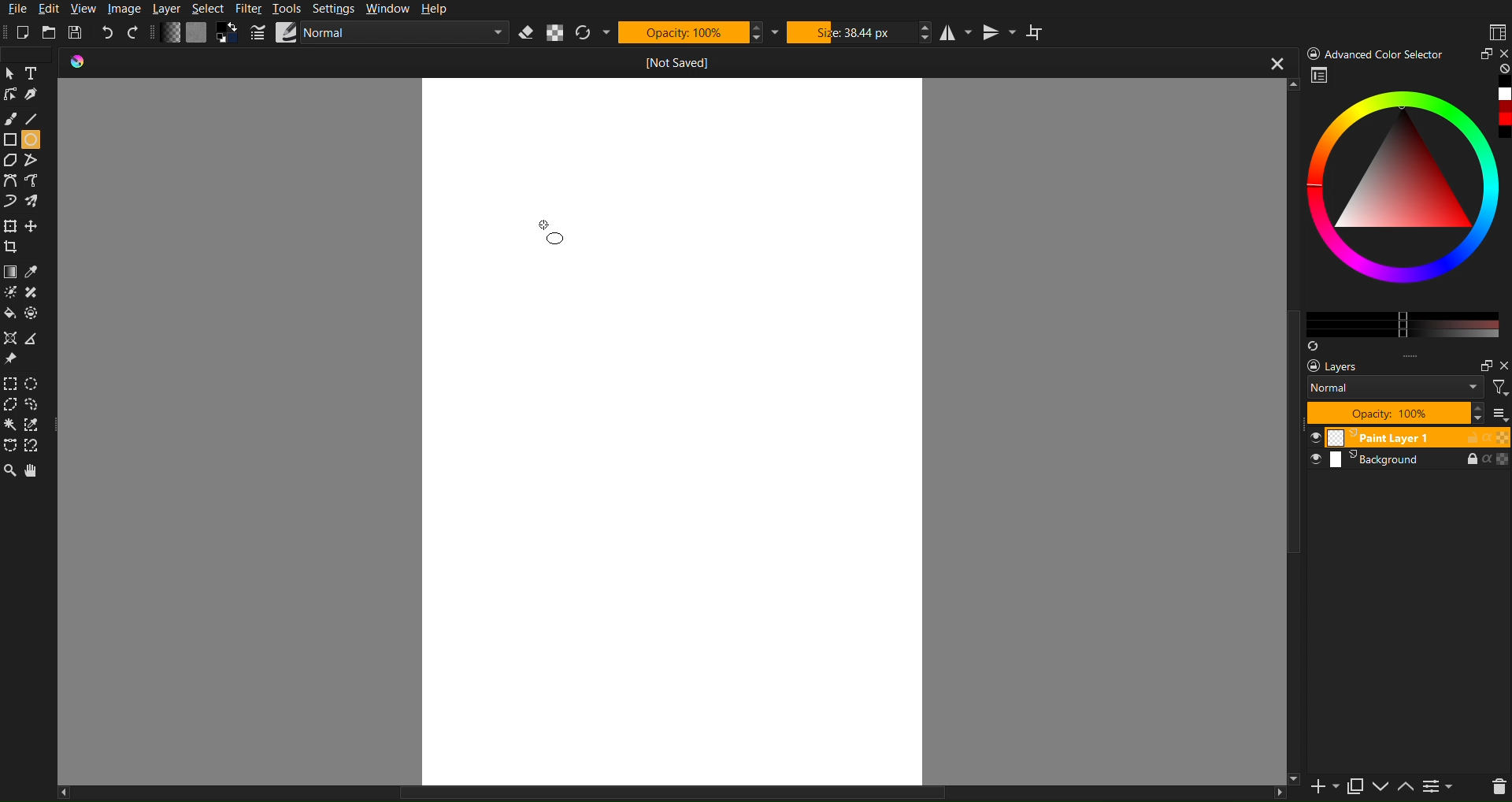 The width and height of the screenshot is (1512, 802). Describe the element at coordinates (289, 7) in the screenshot. I see `Tools` at that location.